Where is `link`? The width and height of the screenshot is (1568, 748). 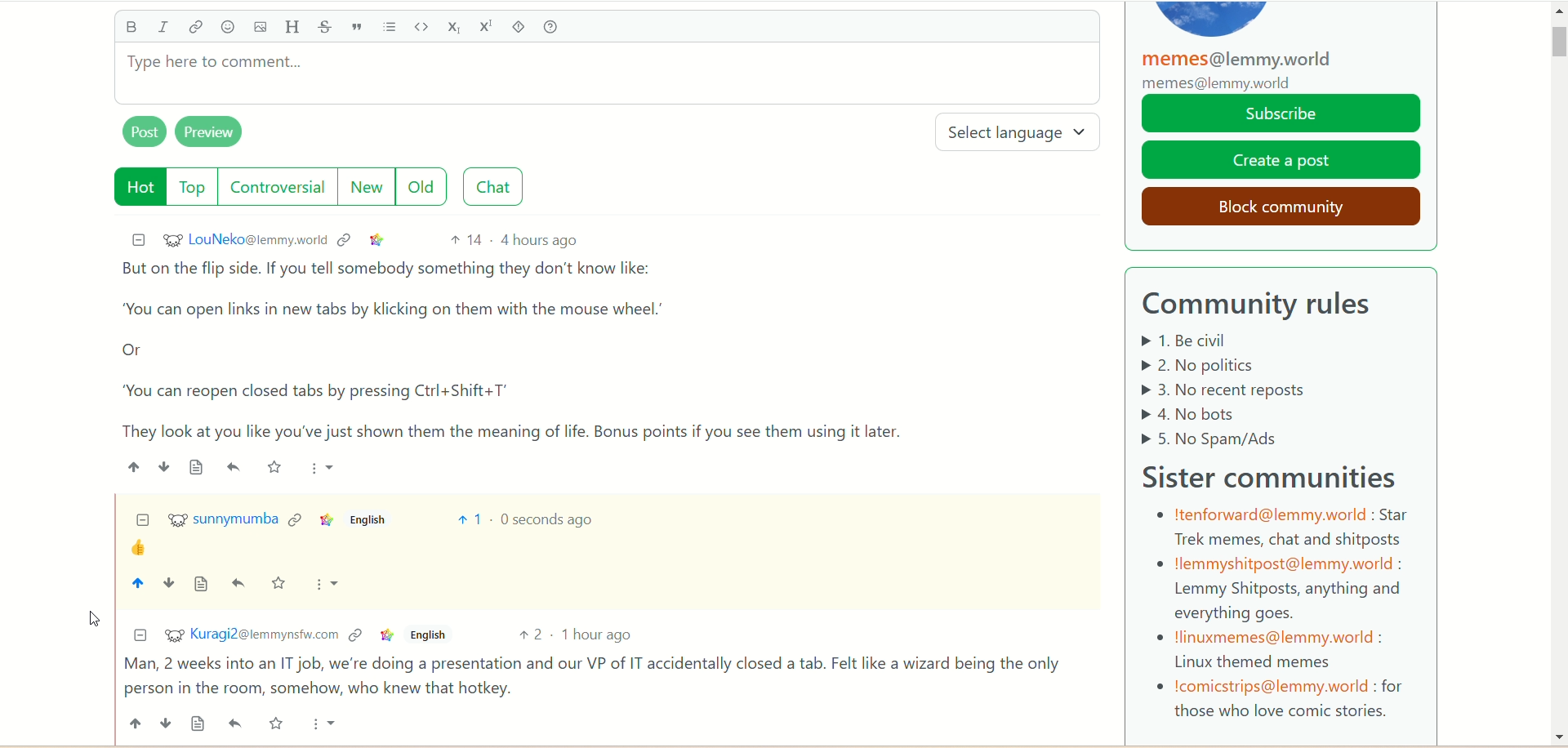 link is located at coordinates (377, 239).